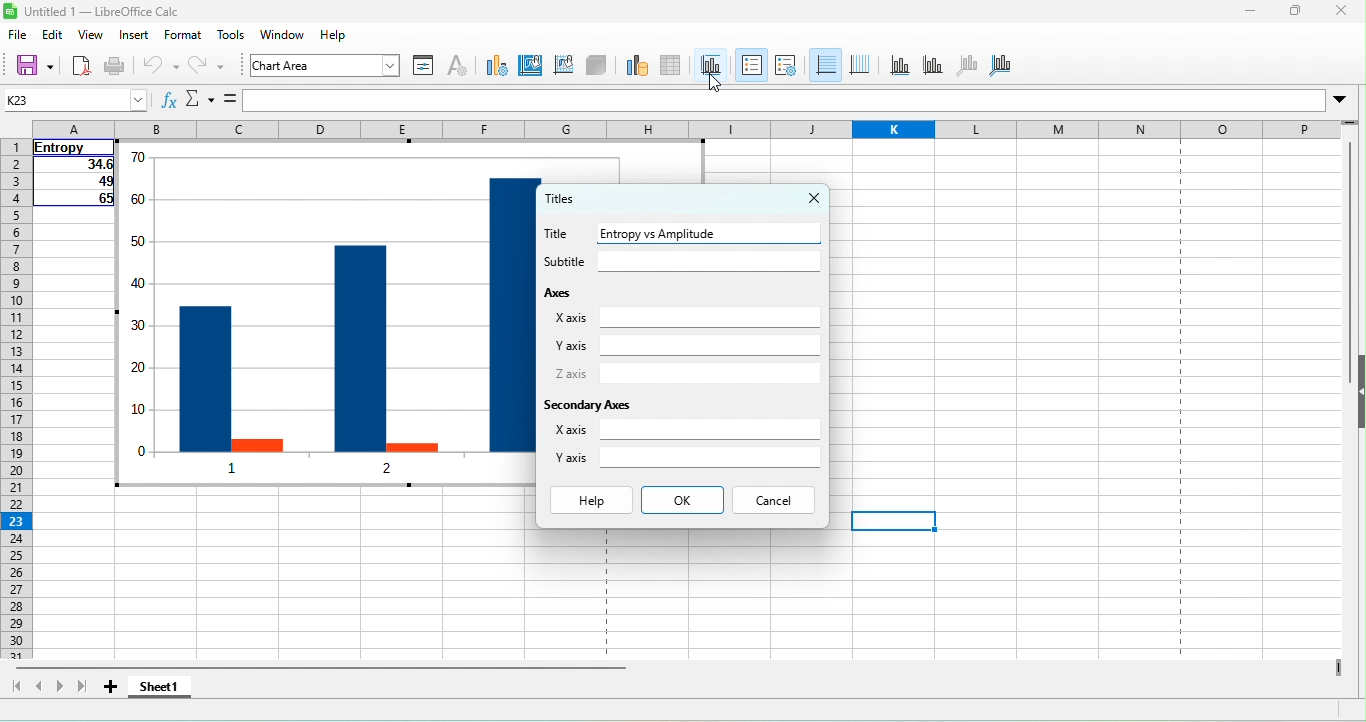  What do you see at coordinates (197, 101) in the screenshot?
I see `select function` at bounding box center [197, 101].